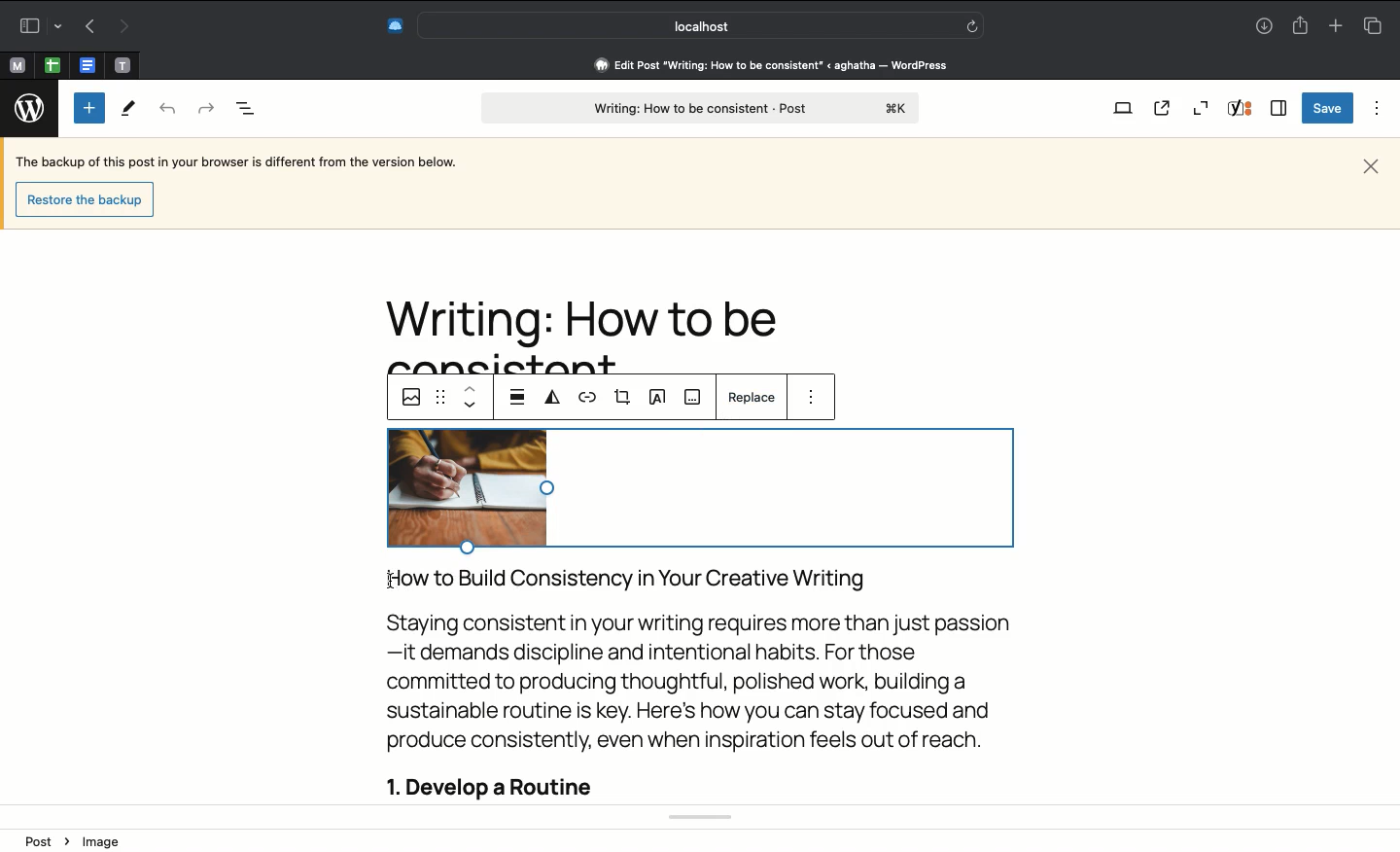 The width and height of the screenshot is (1400, 852). I want to click on Drag, so click(443, 394).